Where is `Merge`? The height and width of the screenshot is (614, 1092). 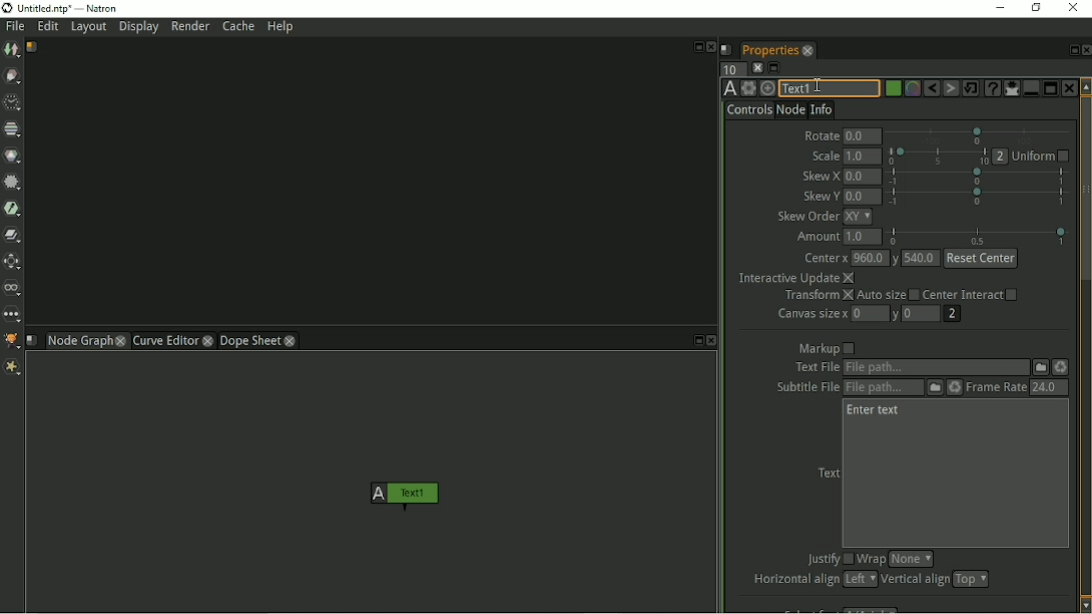 Merge is located at coordinates (13, 235).